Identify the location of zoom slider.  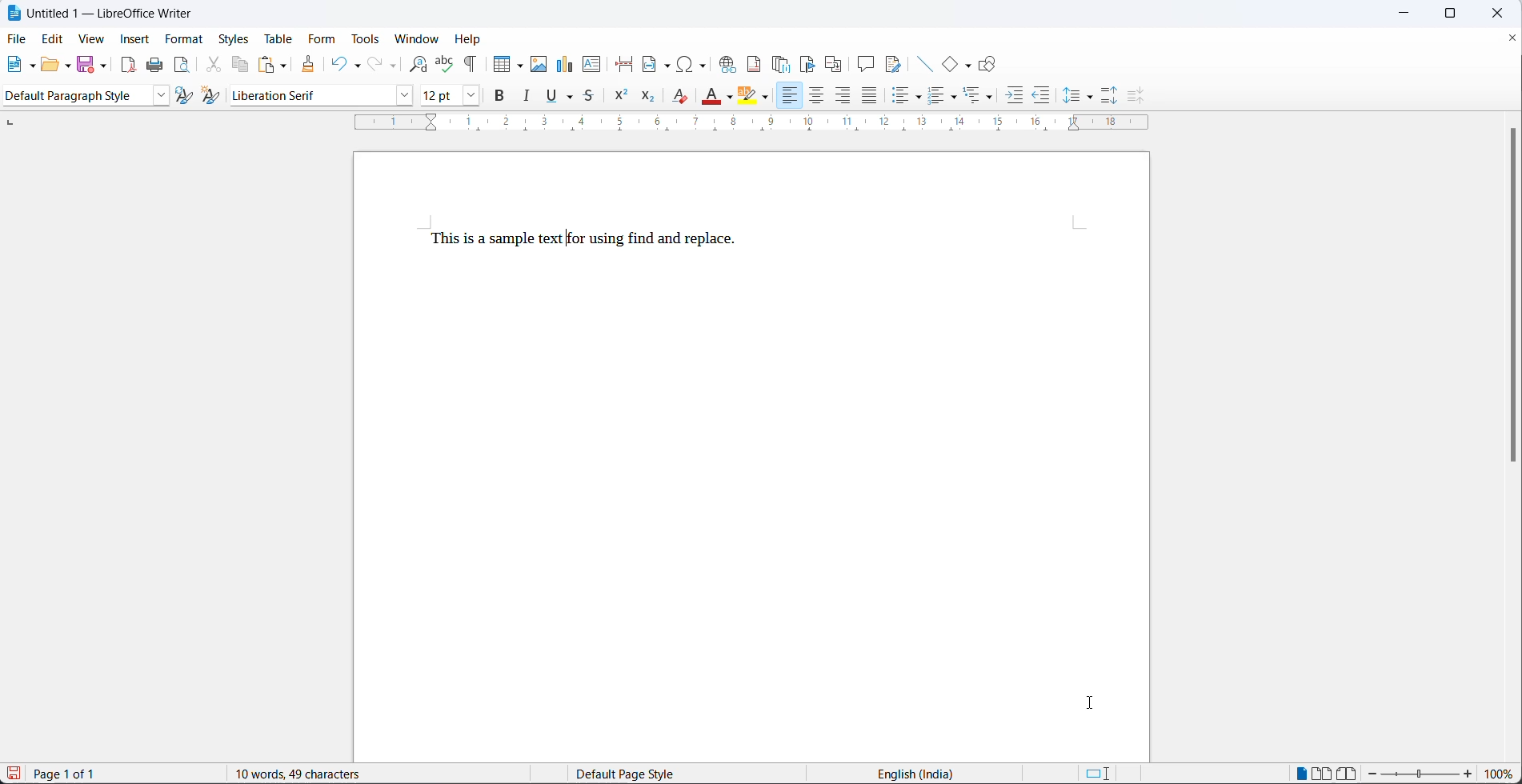
(1420, 774).